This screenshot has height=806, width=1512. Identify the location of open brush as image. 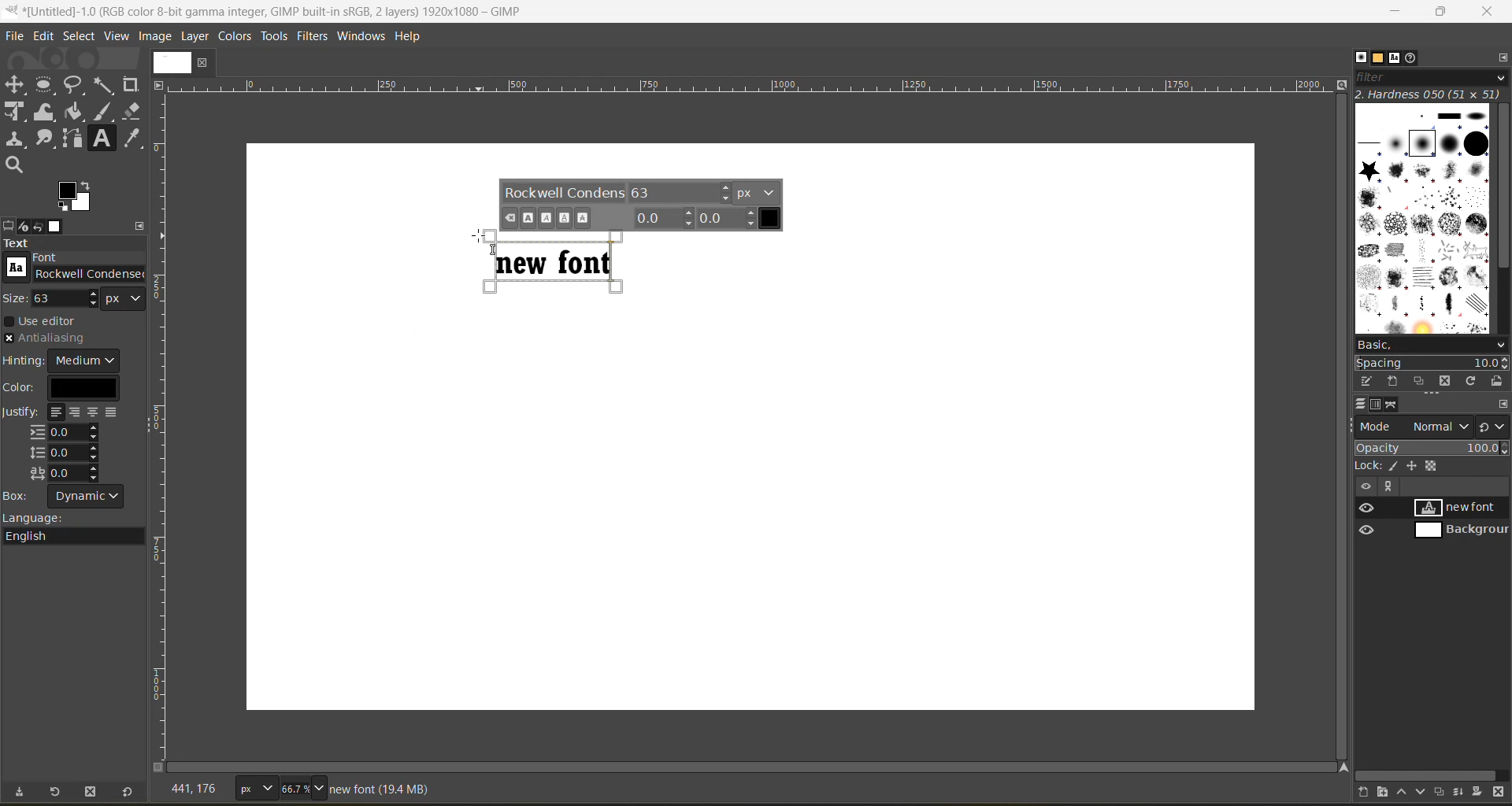
(1497, 381).